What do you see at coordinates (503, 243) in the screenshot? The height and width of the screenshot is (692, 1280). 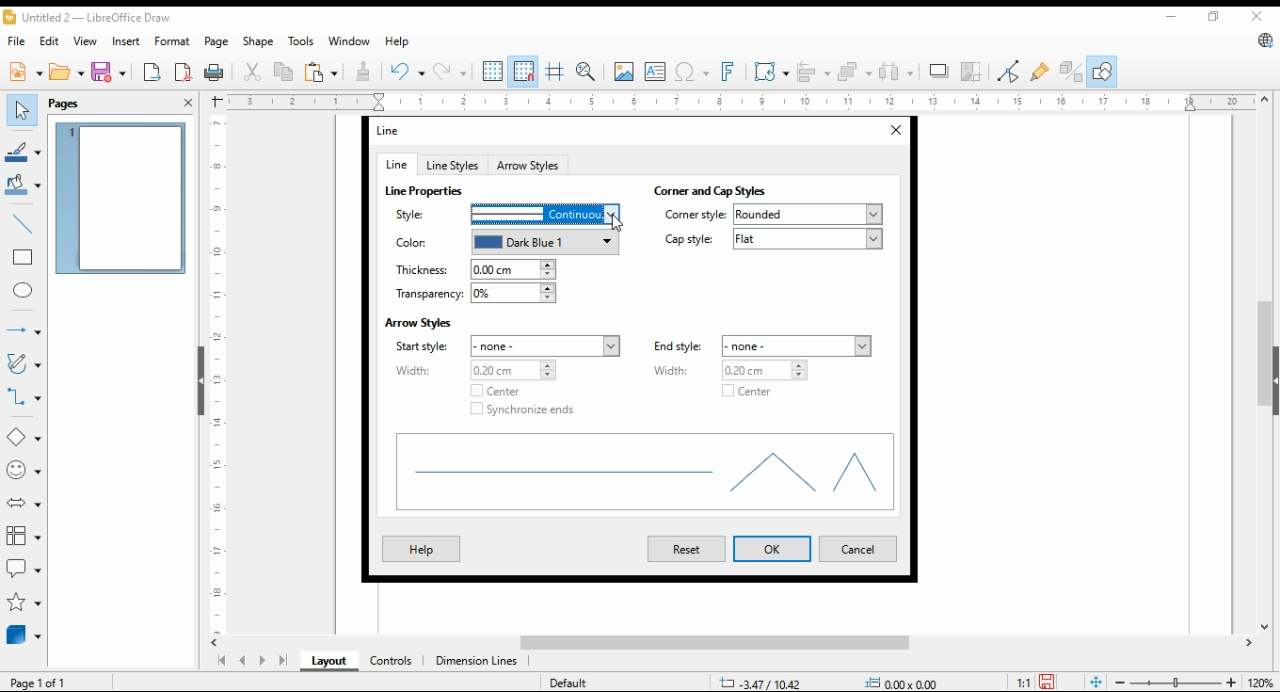 I see `line color` at bounding box center [503, 243].